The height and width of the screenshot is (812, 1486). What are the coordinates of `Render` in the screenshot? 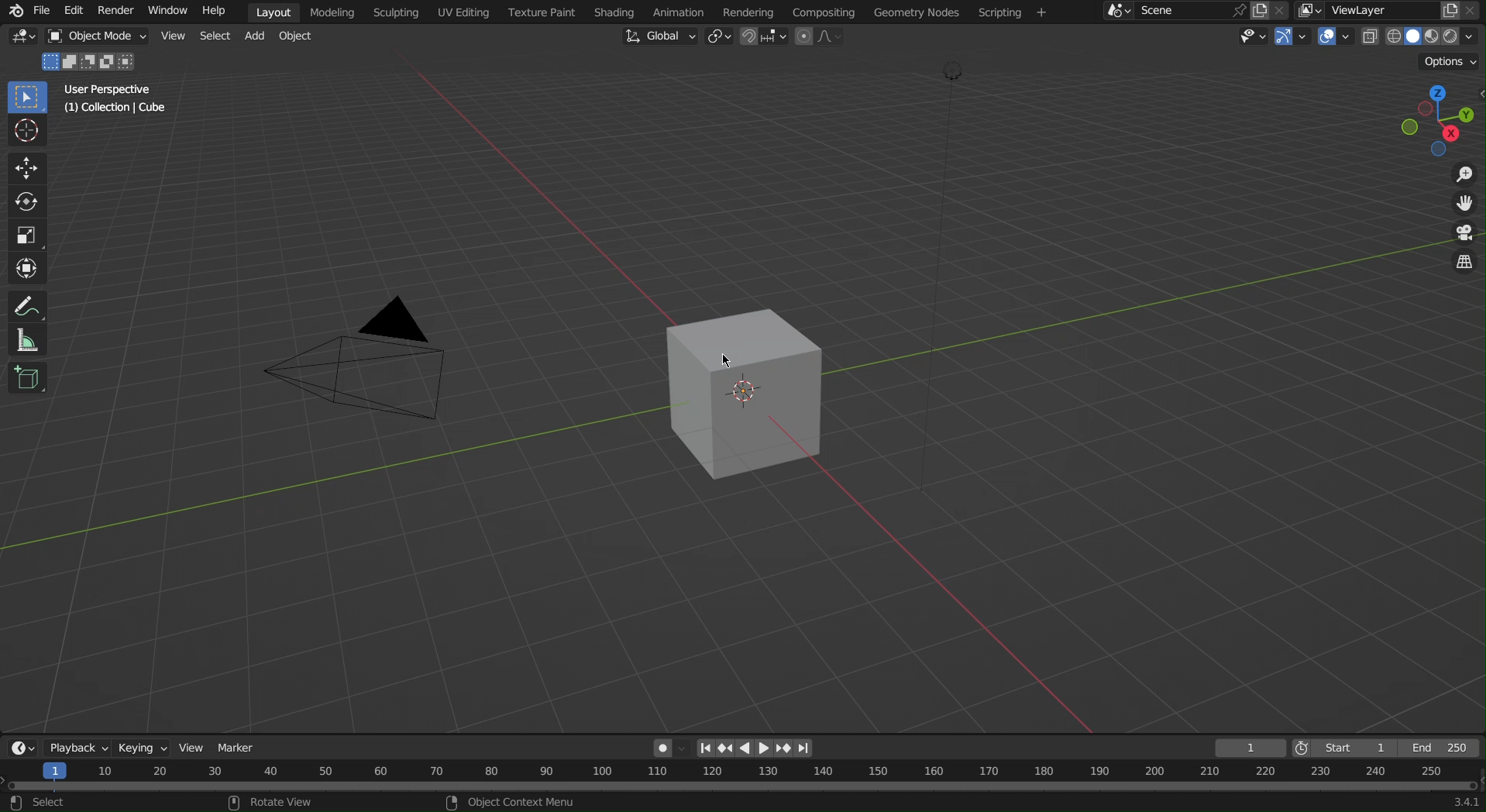 It's located at (115, 12).